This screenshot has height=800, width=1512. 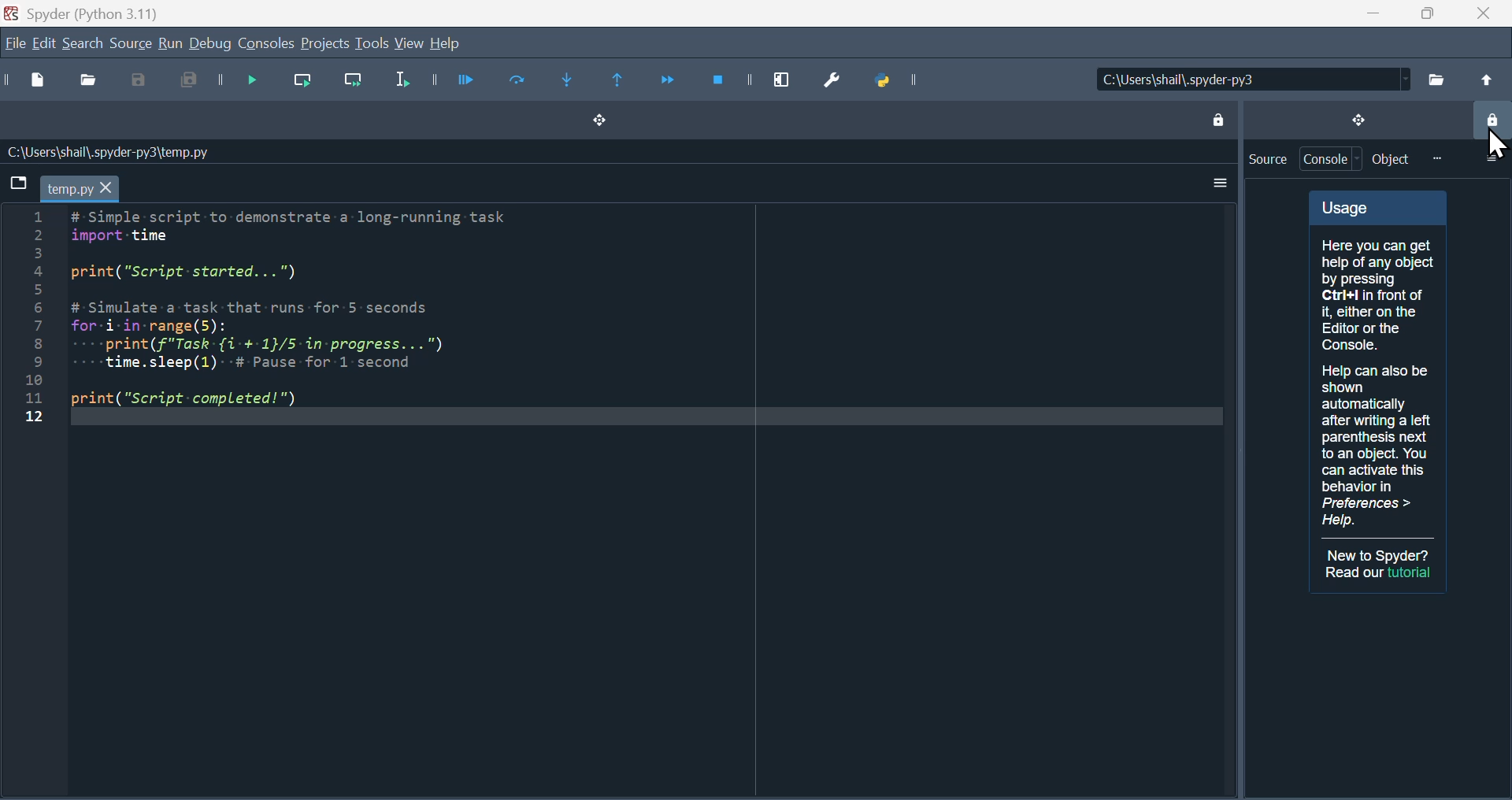 I want to click on Source, so click(x=1267, y=159).